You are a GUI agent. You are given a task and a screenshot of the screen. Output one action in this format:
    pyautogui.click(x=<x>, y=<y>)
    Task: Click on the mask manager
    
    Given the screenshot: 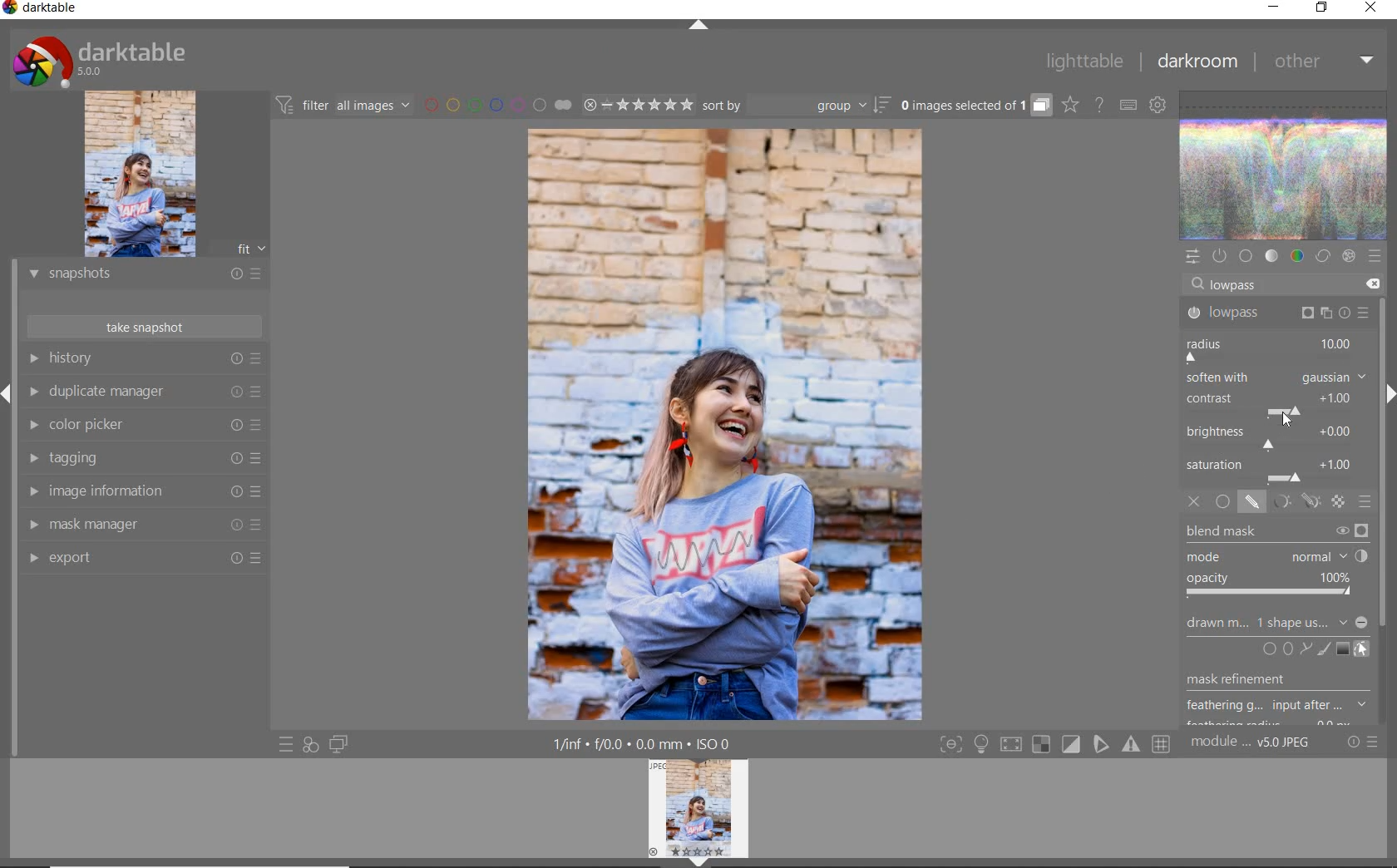 What is the action you would take?
    pyautogui.click(x=143, y=526)
    